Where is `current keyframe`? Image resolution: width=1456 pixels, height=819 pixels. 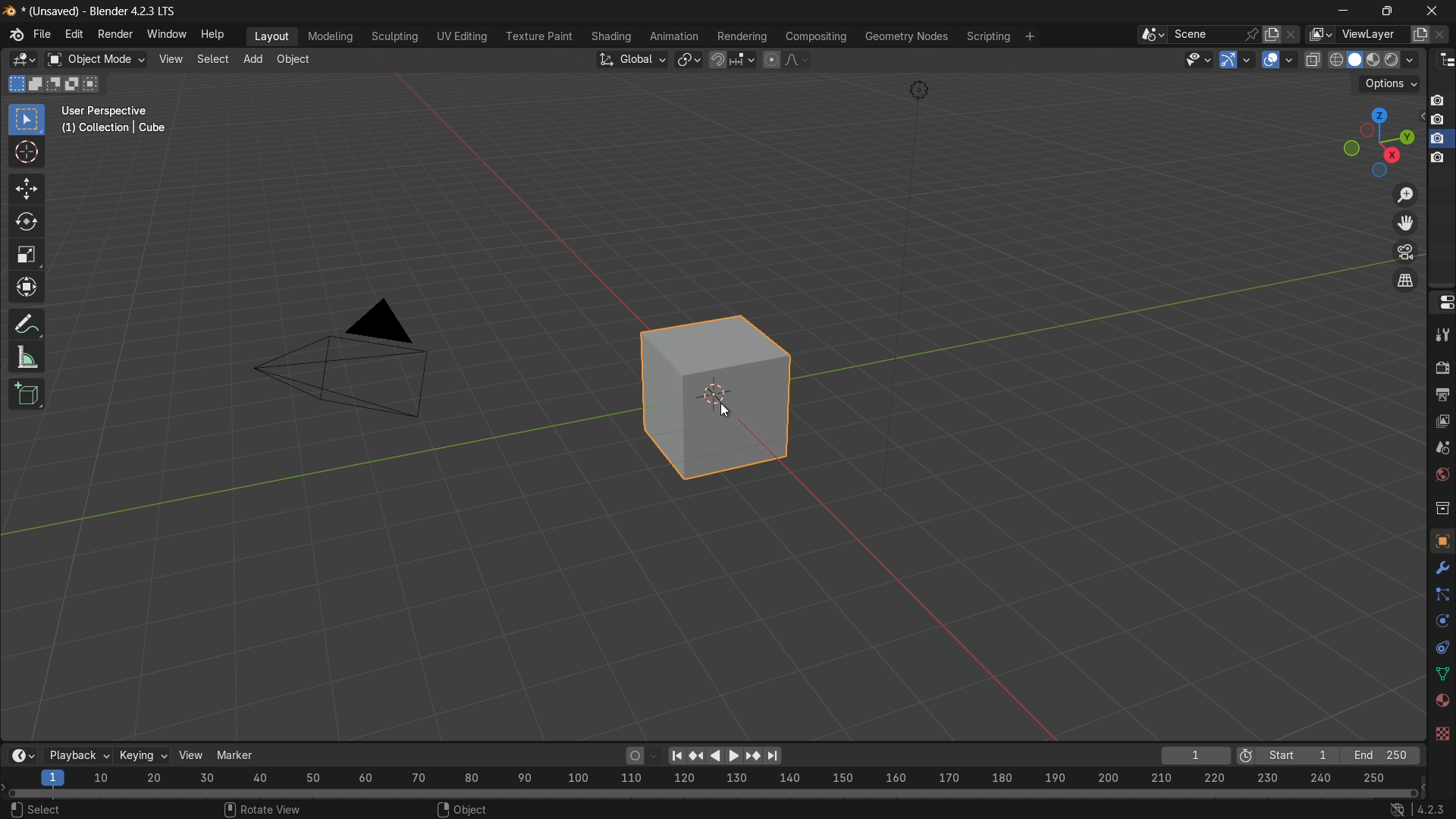 current keyframe is located at coordinates (1196, 755).